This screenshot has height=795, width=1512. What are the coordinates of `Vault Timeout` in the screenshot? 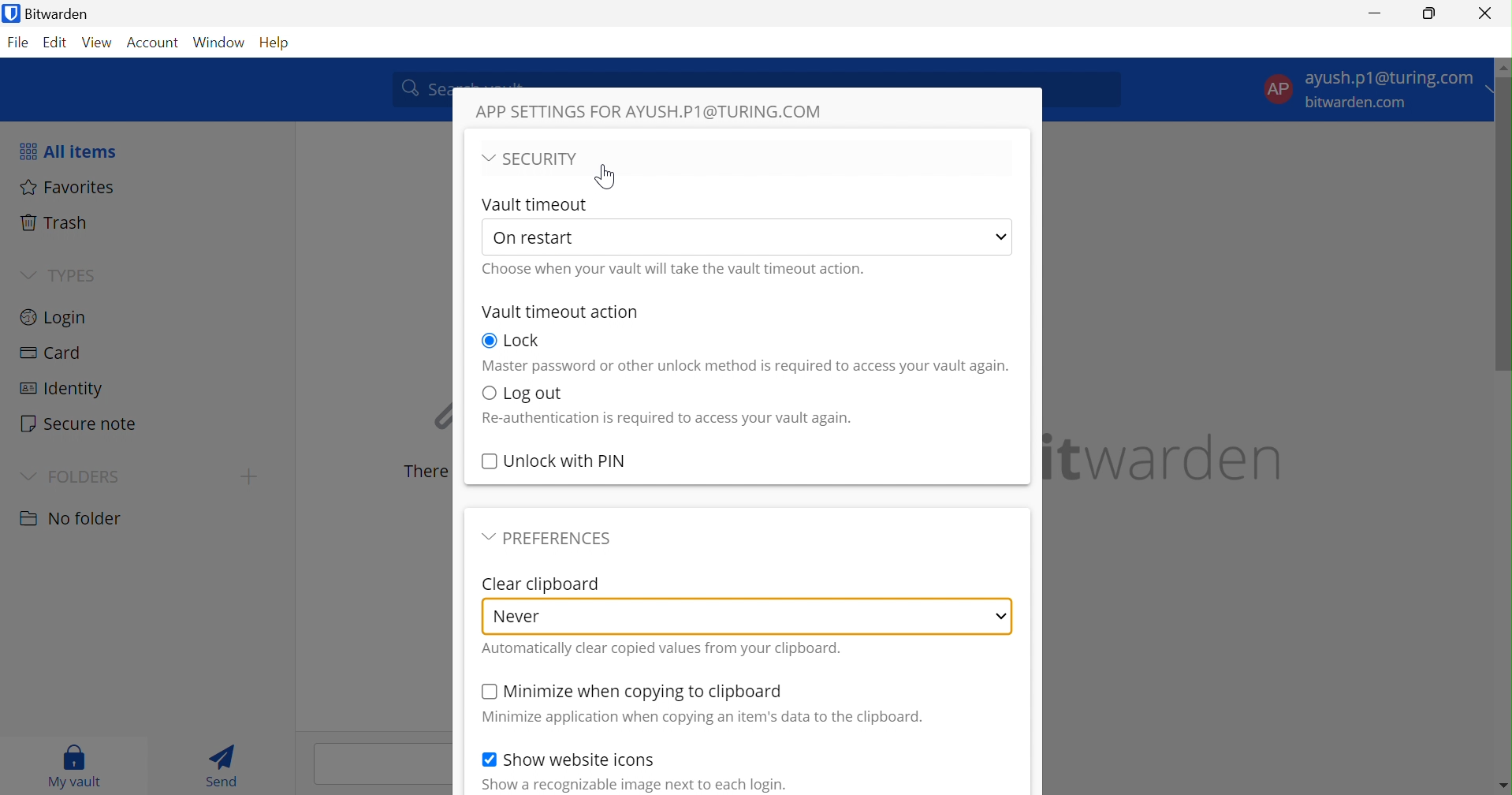 It's located at (535, 203).